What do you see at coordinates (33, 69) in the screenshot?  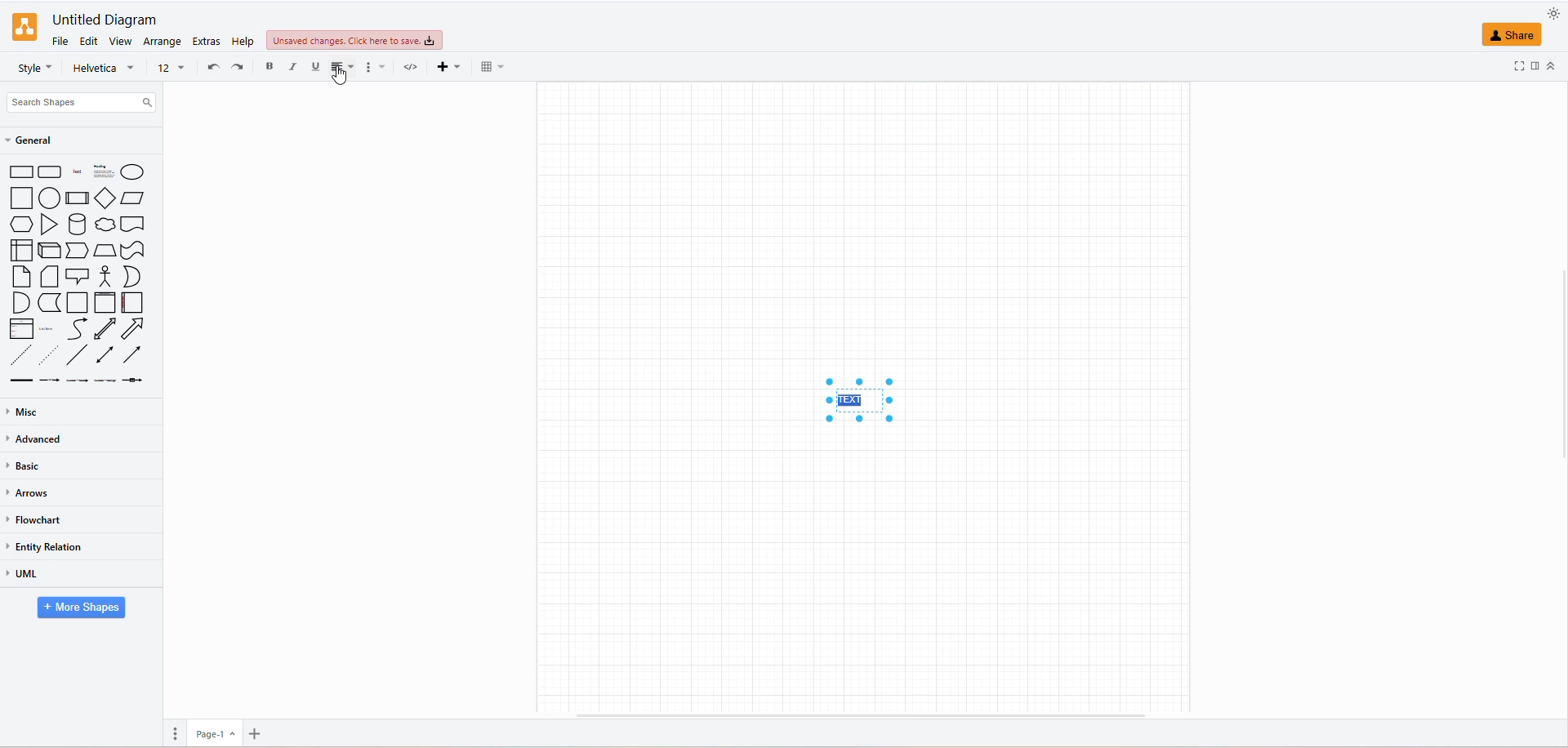 I see `styles` at bounding box center [33, 69].